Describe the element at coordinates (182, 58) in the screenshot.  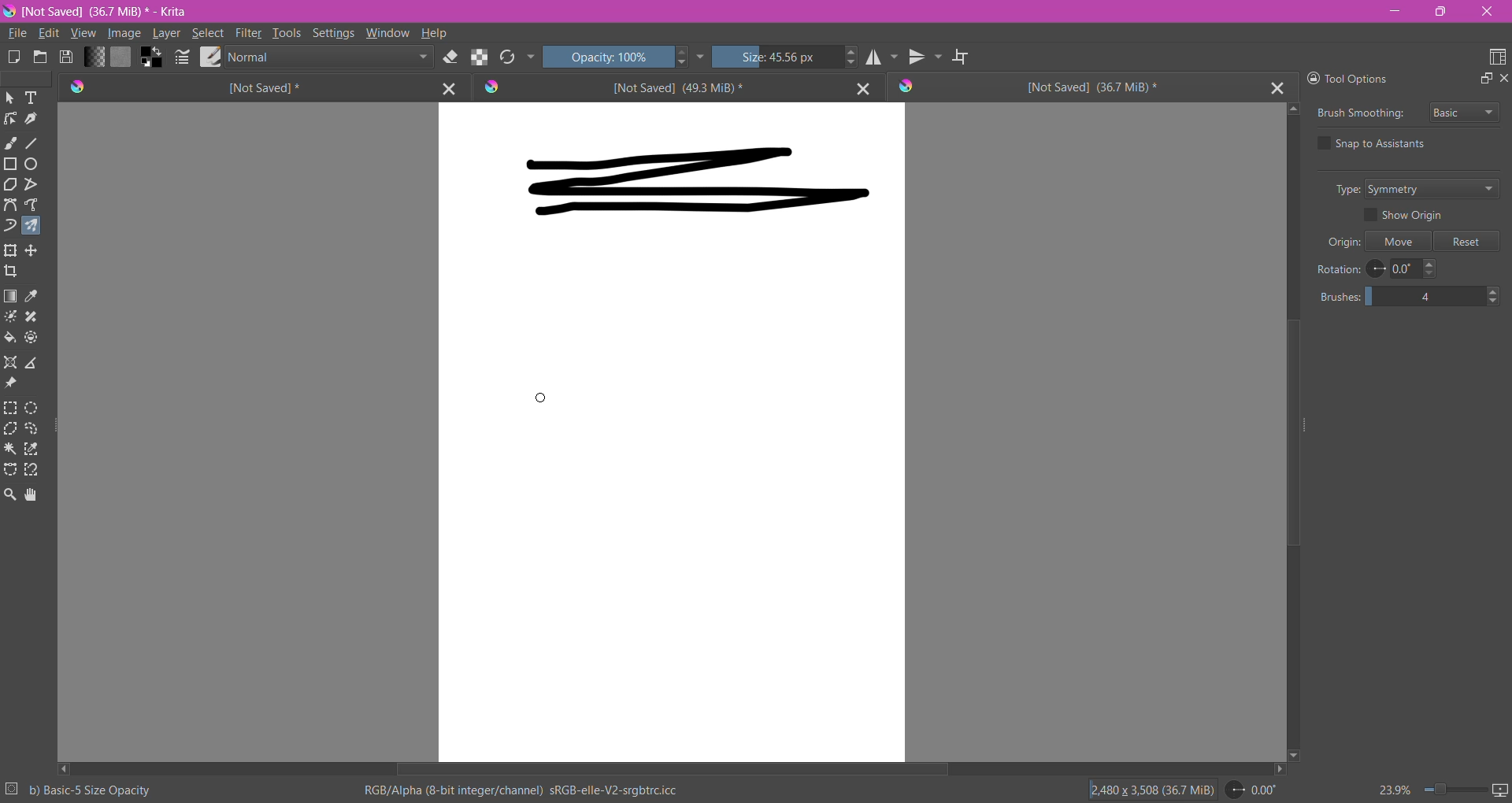
I see `Edit Bursh Settings` at that location.